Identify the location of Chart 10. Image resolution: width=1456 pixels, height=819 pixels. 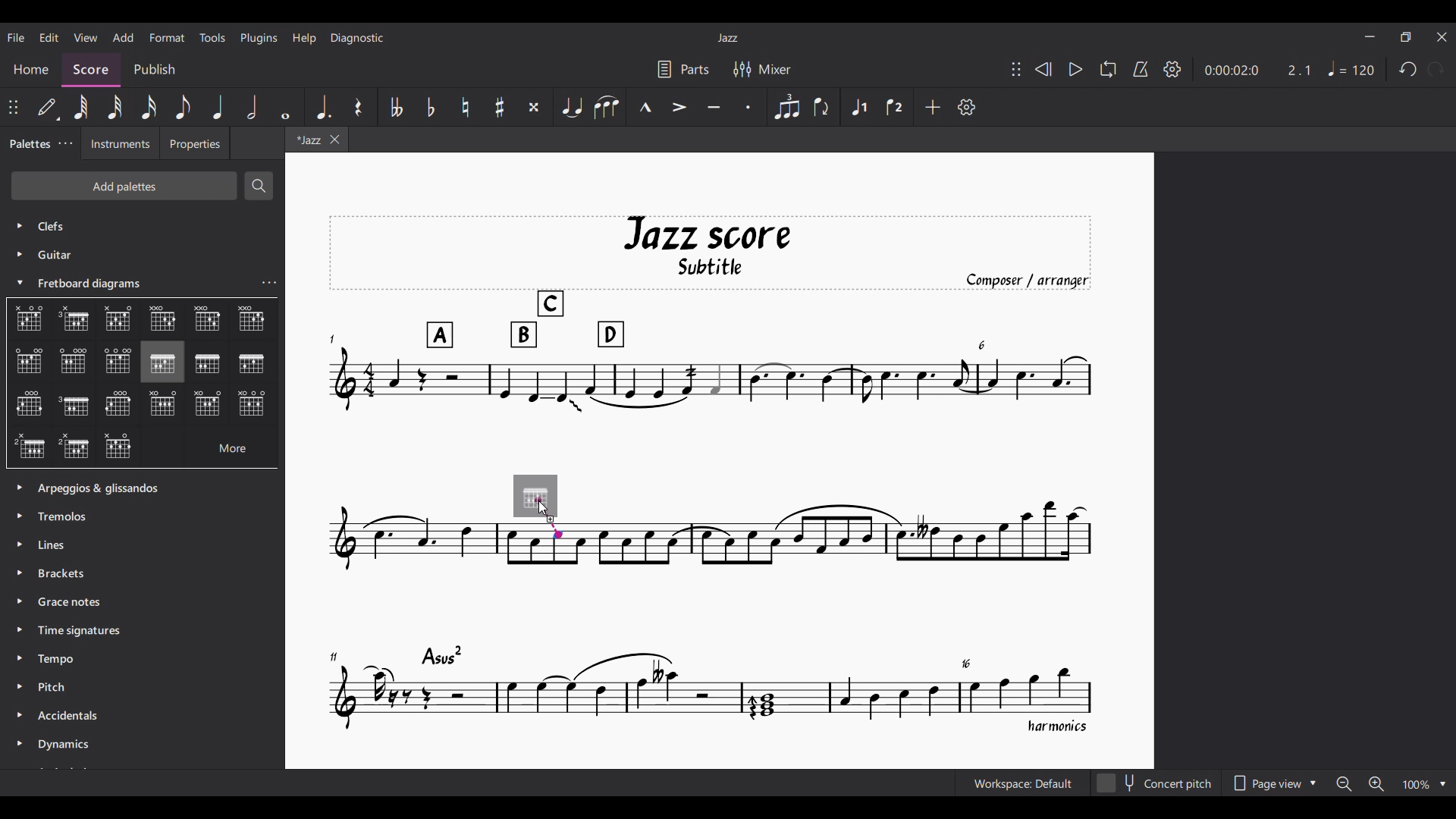
(209, 363).